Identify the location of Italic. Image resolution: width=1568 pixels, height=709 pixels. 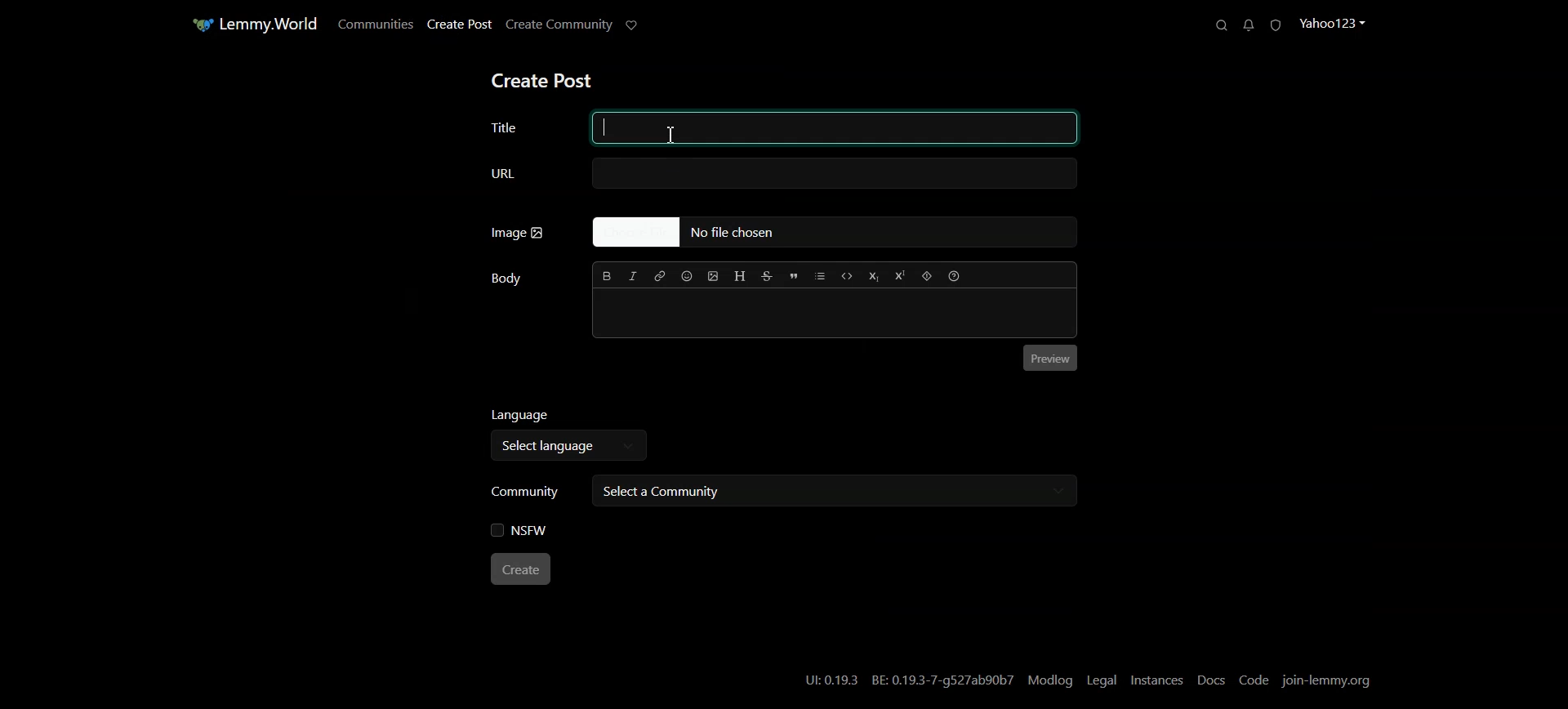
(634, 276).